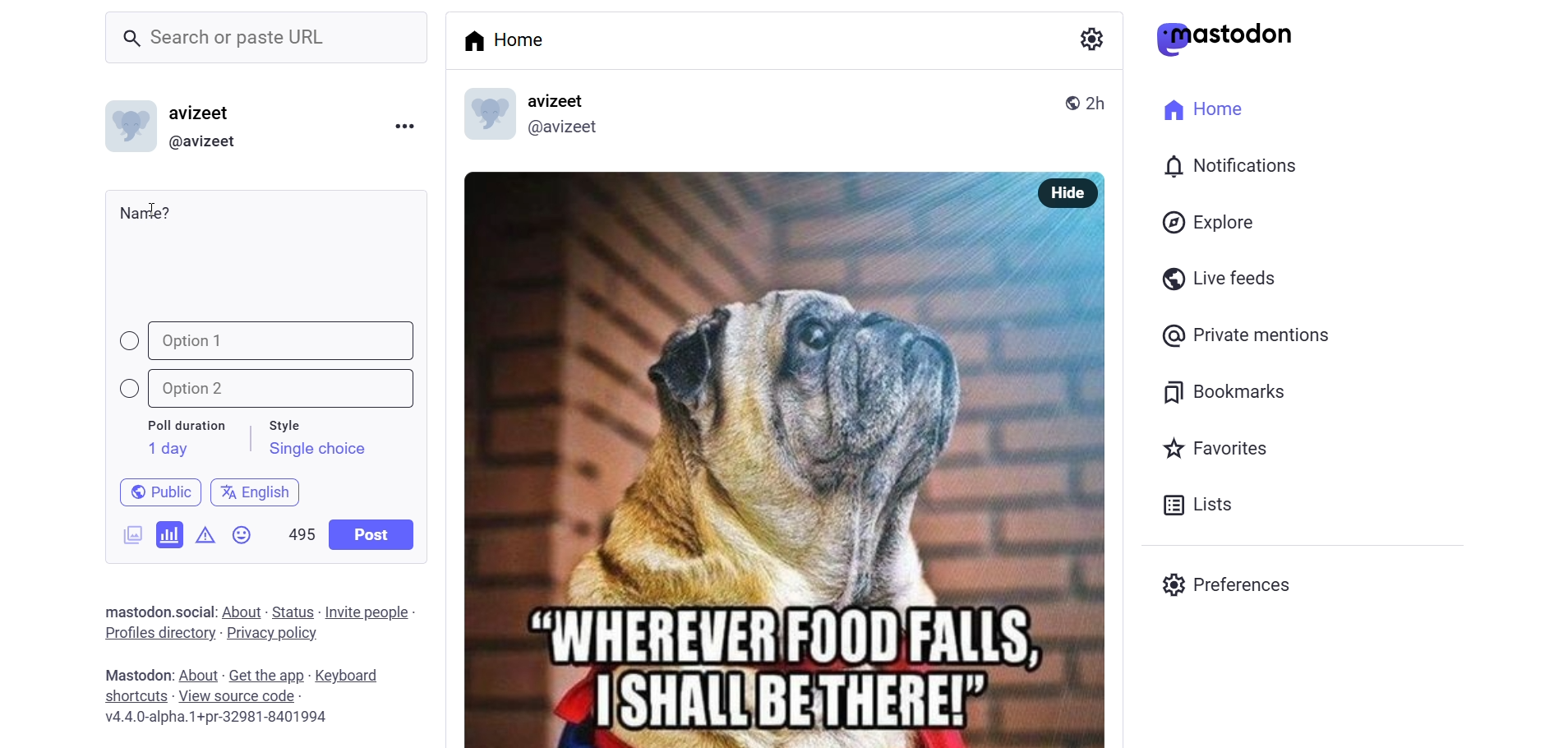  Describe the element at coordinates (240, 612) in the screenshot. I see `about` at that location.